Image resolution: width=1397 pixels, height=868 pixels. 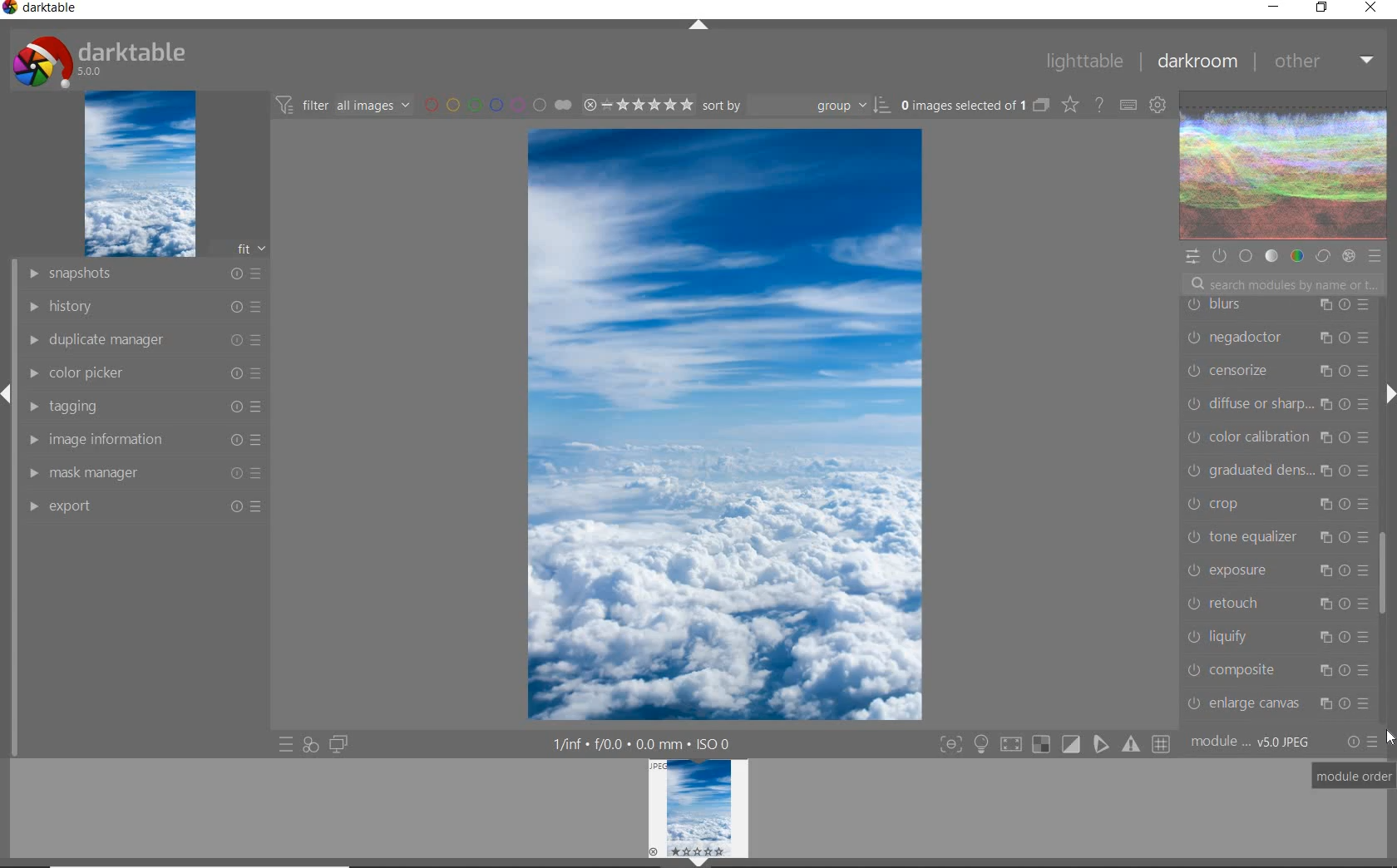 I want to click on SCROLLBAR, so click(x=1385, y=336).